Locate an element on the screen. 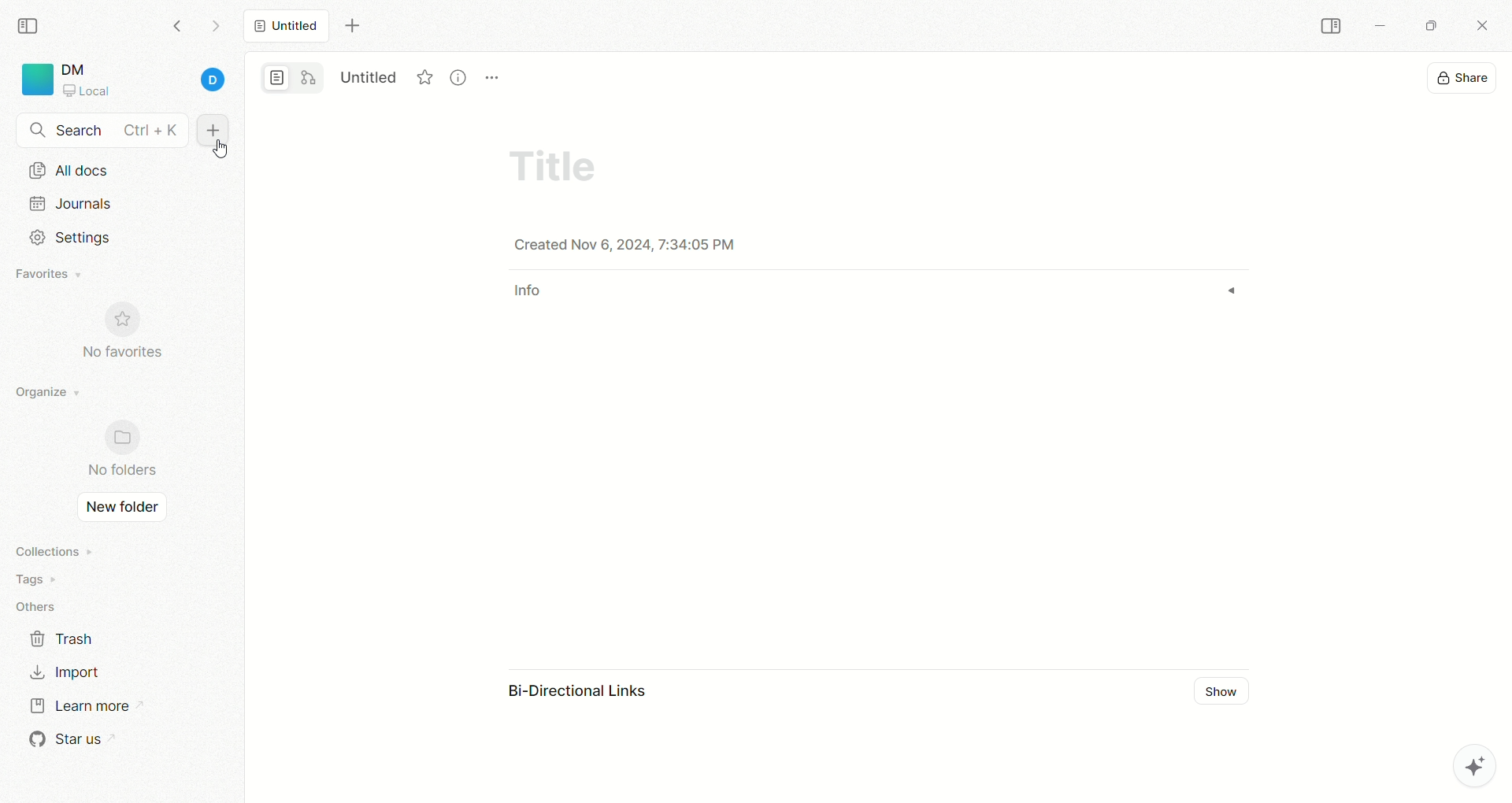 The width and height of the screenshot is (1512, 803). page mode is located at coordinates (278, 80).